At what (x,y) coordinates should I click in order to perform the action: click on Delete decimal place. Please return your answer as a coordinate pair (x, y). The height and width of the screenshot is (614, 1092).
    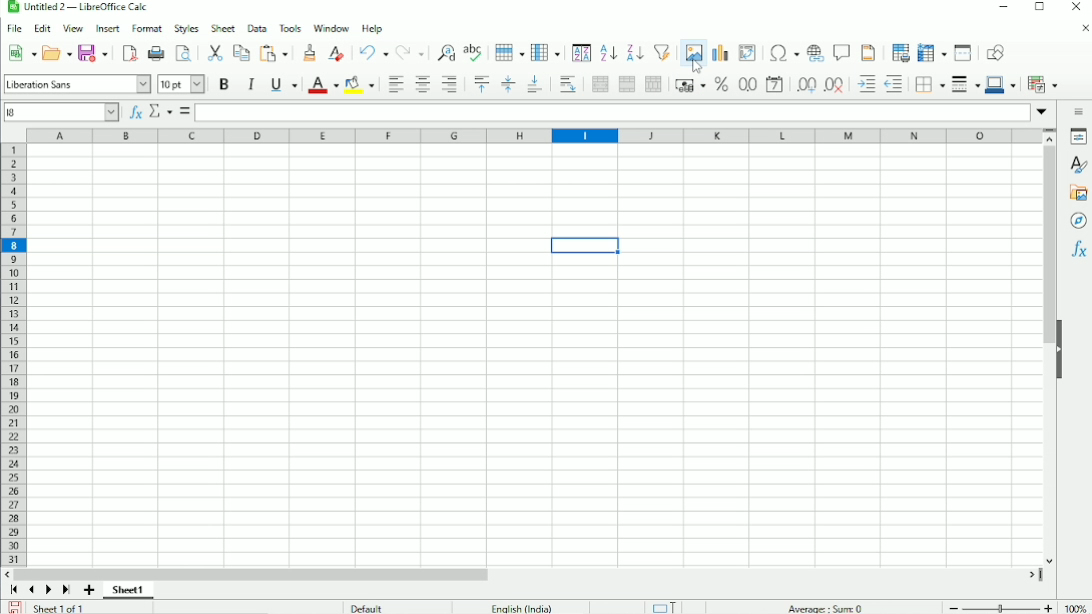
    Looking at the image, I should click on (832, 86).